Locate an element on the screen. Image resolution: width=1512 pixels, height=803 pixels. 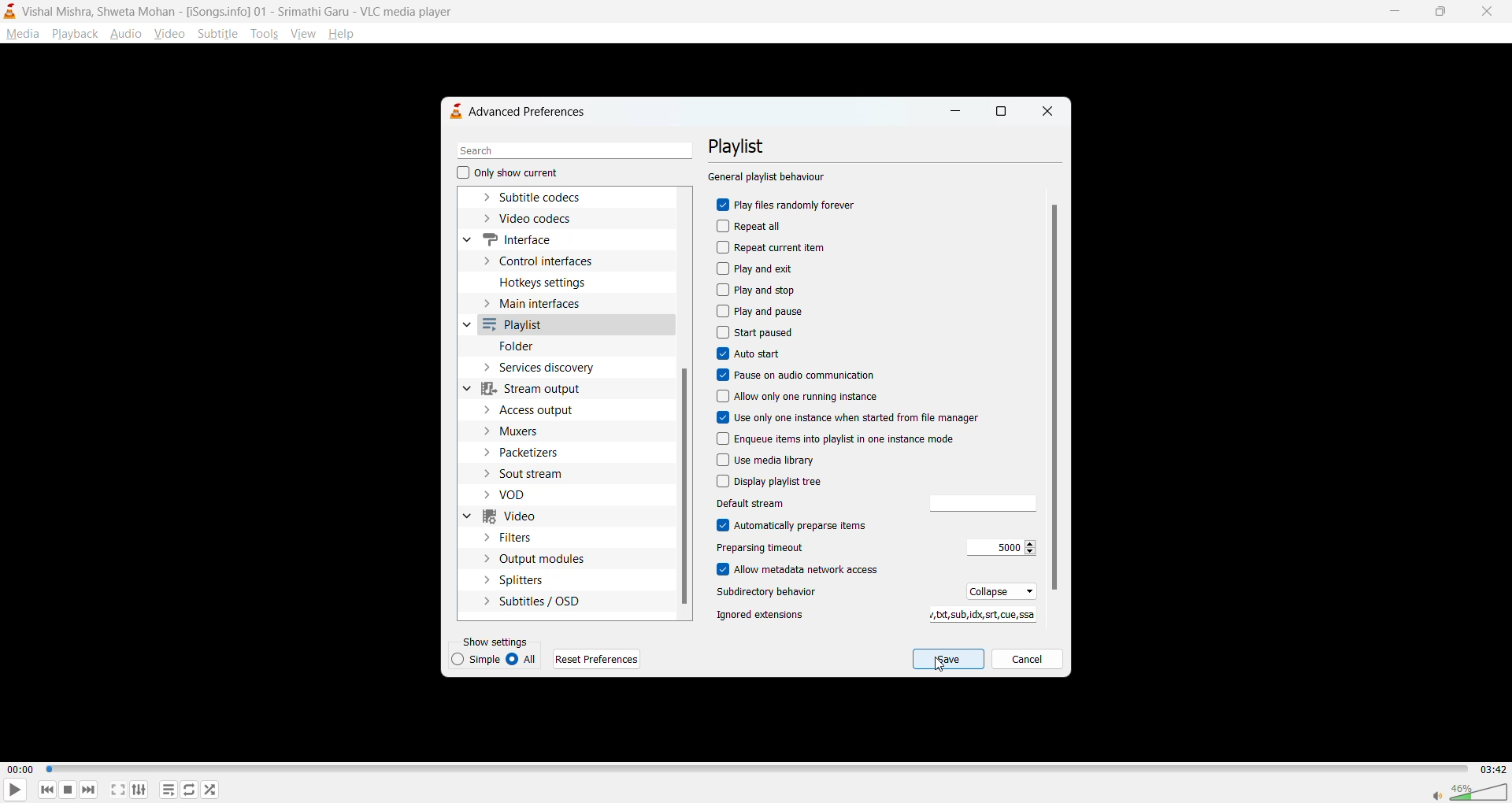
advanced preferences is located at coordinates (525, 111).